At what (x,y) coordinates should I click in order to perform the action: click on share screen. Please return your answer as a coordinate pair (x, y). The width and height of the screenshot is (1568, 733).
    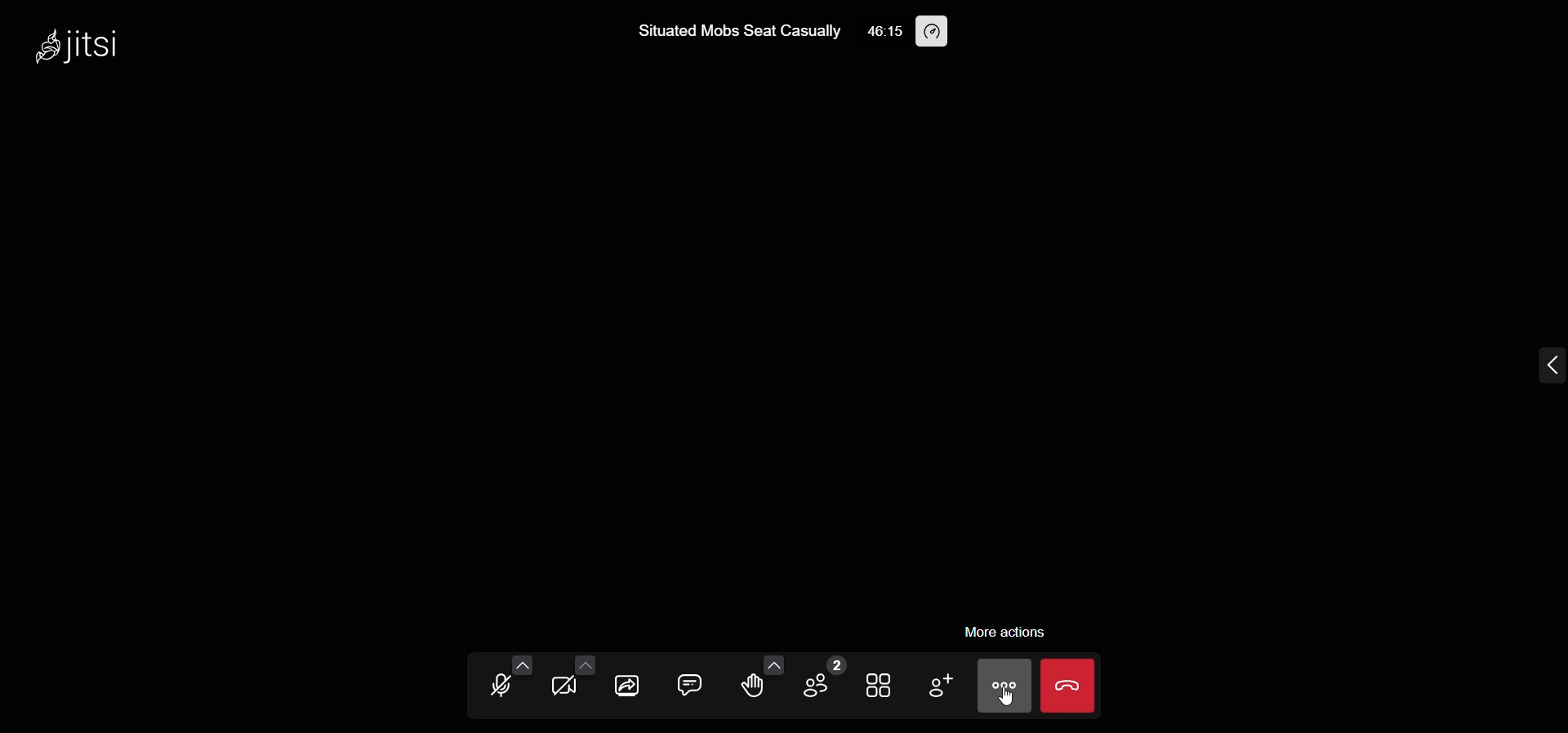
    Looking at the image, I should click on (630, 682).